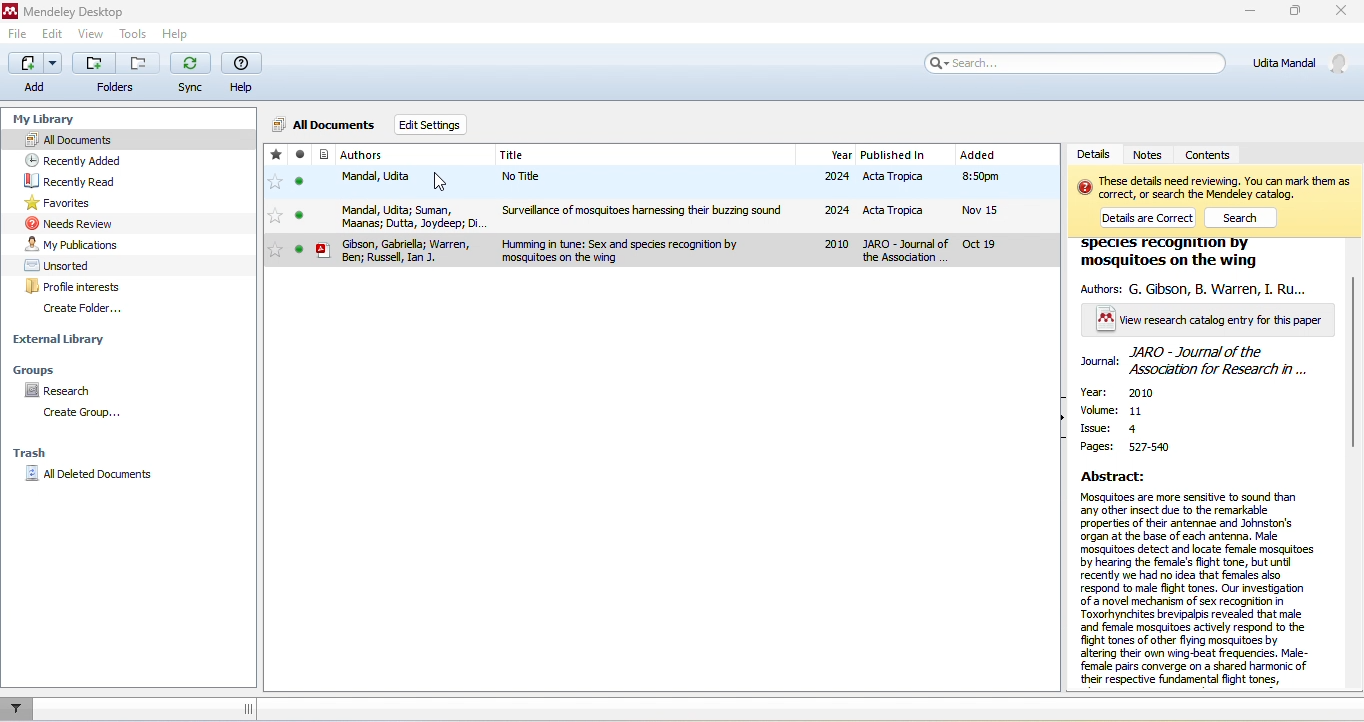  Describe the element at coordinates (901, 213) in the screenshot. I see `acta tropica` at that location.